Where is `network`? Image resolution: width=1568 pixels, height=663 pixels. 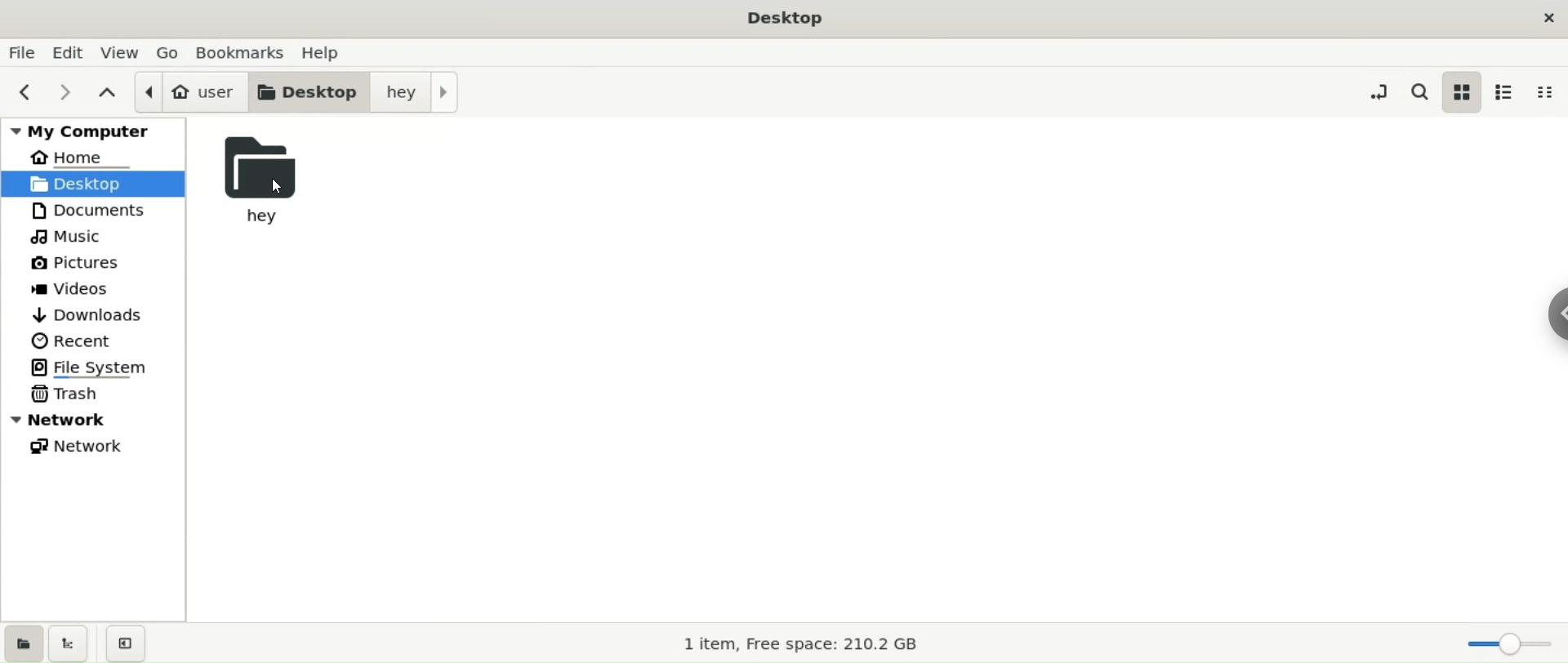
network is located at coordinates (91, 447).